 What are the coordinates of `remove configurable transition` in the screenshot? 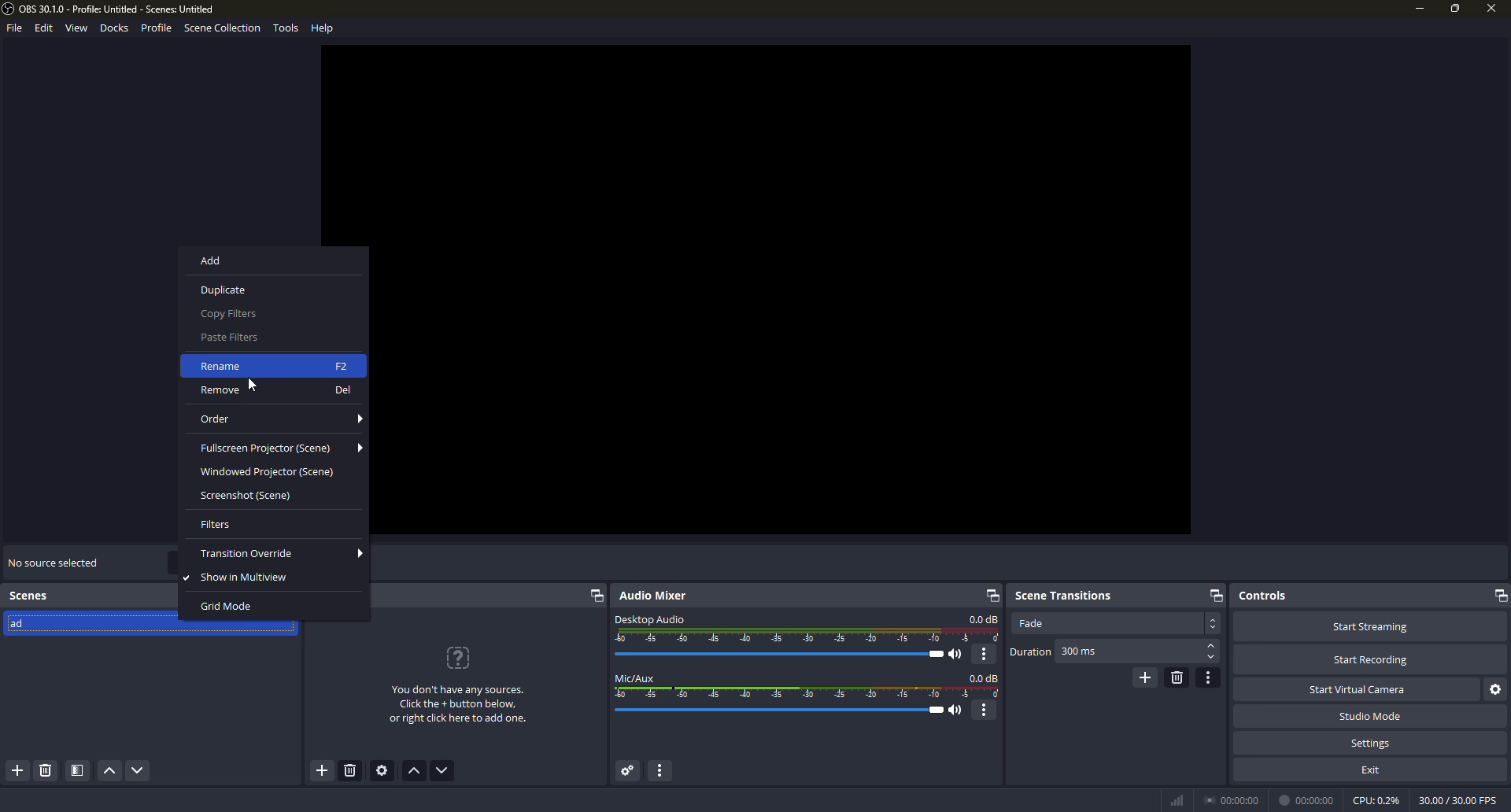 It's located at (1177, 677).